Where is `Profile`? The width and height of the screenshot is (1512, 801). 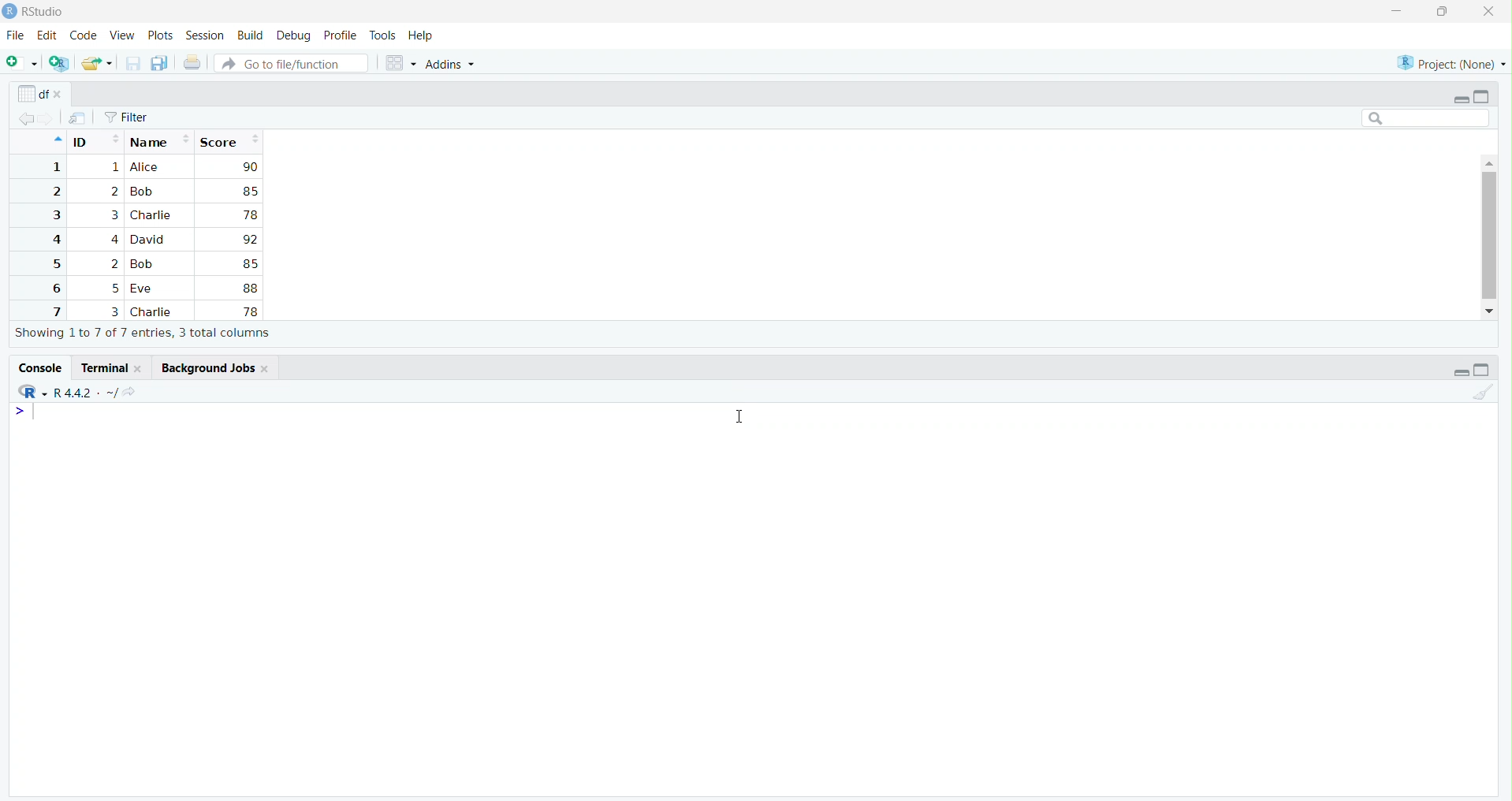 Profile is located at coordinates (341, 36).